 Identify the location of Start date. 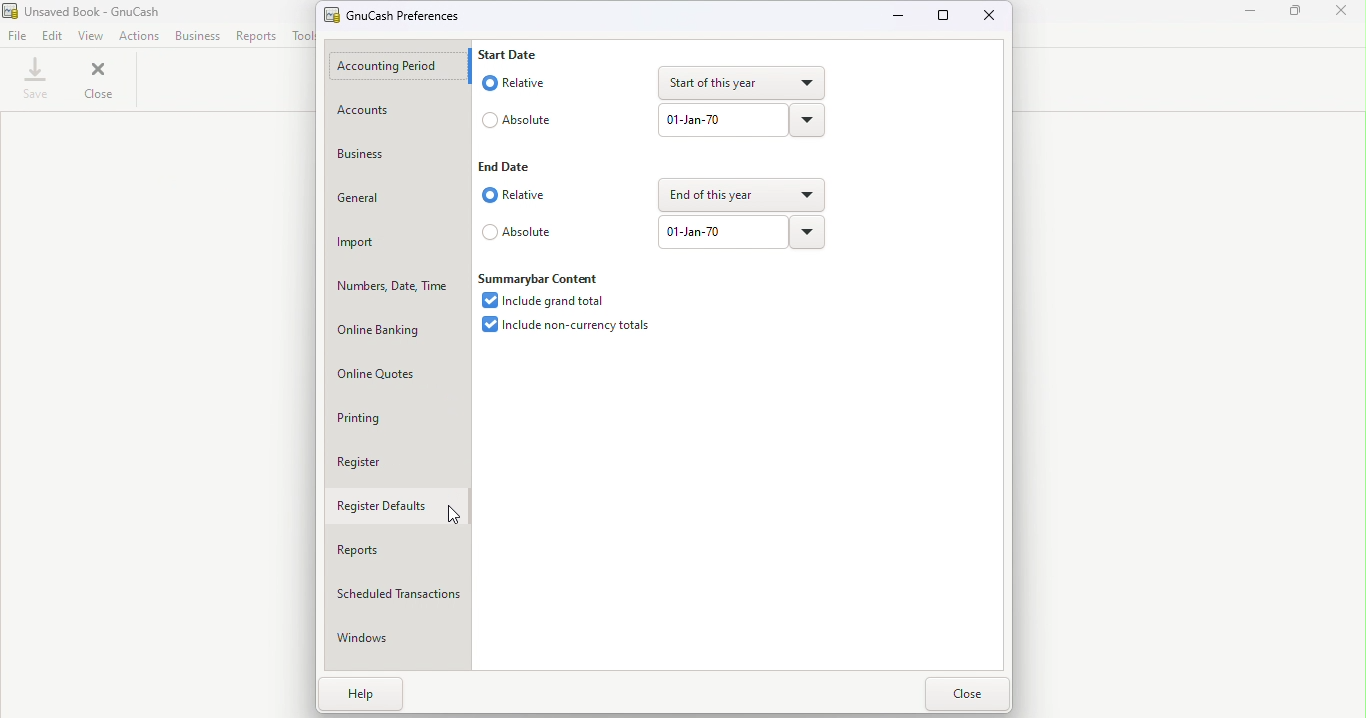
(521, 53).